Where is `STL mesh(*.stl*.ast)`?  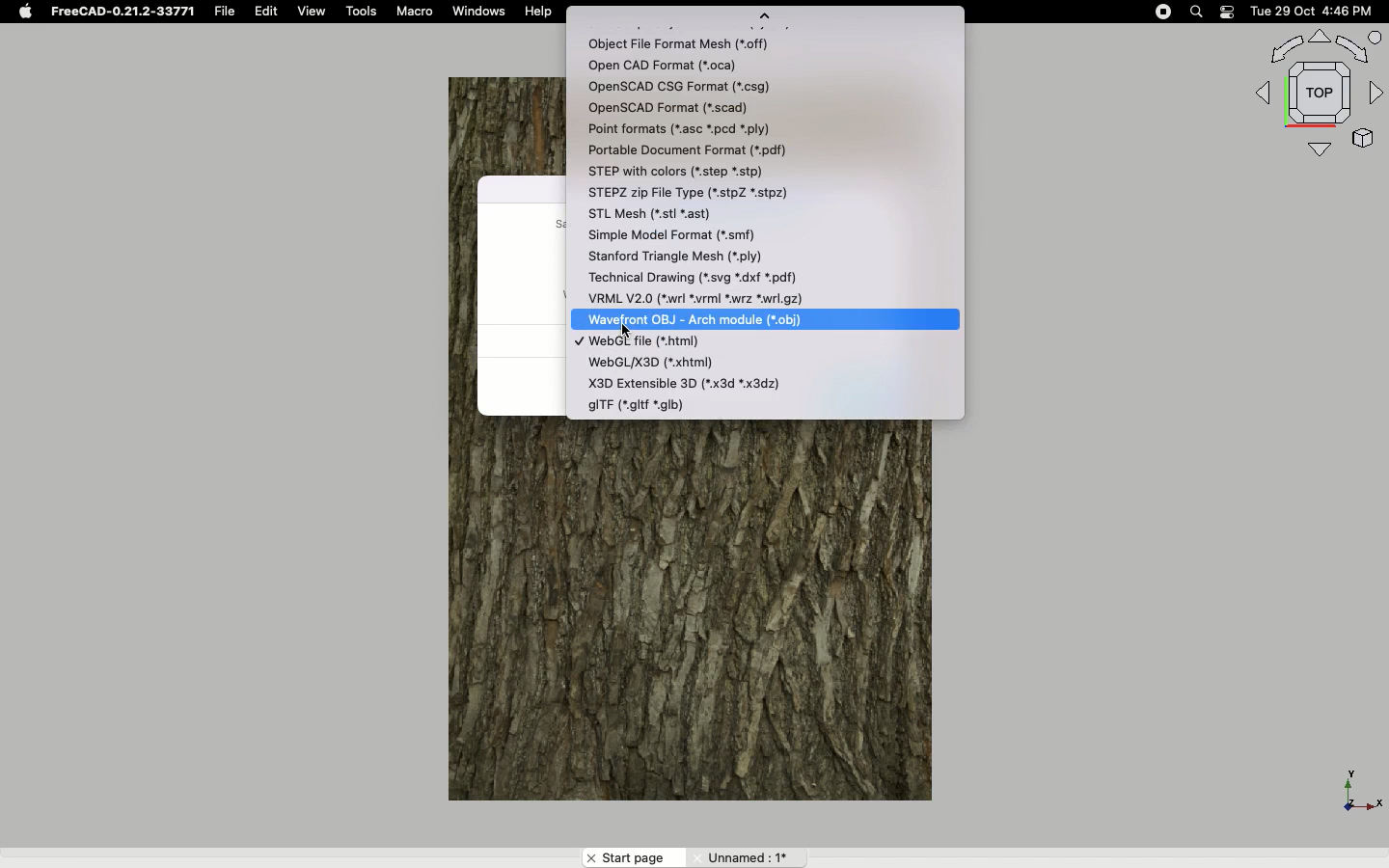
STL mesh(*.stl*.ast) is located at coordinates (660, 213).